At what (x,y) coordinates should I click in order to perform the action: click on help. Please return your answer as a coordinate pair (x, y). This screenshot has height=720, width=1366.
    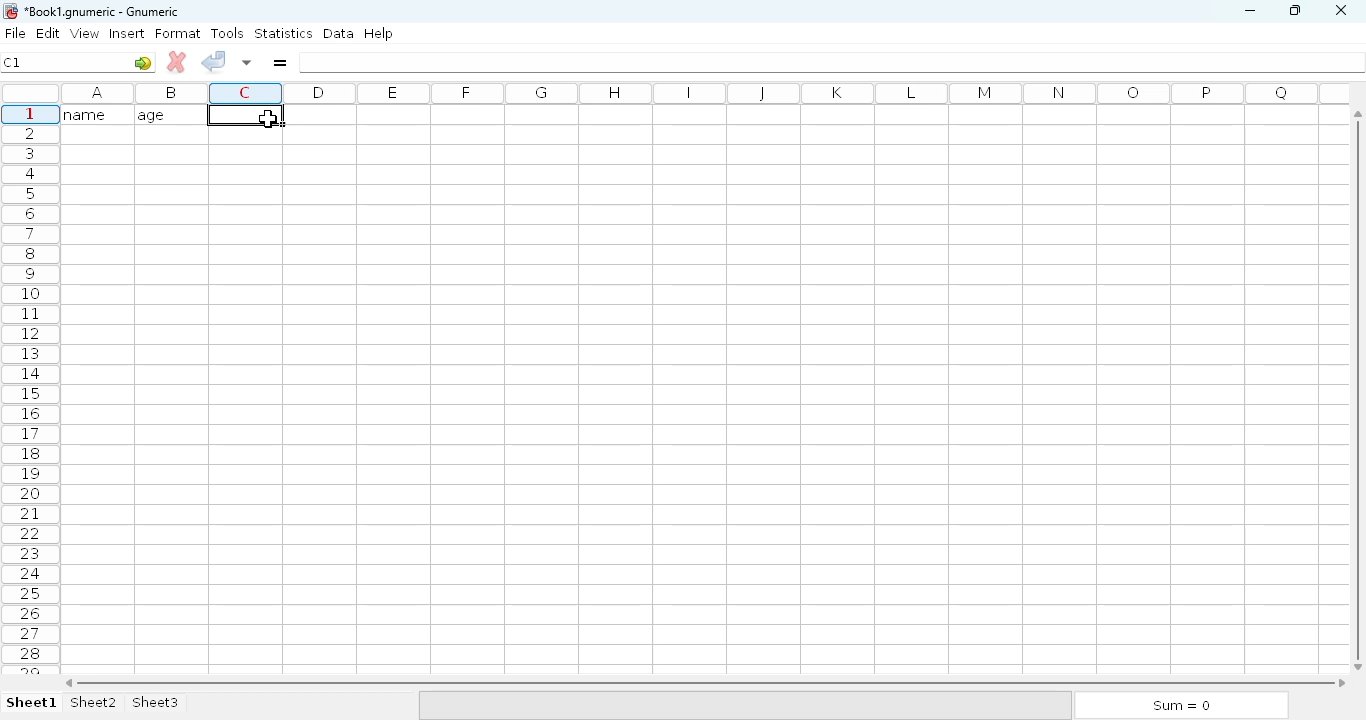
    Looking at the image, I should click on (378, 34).